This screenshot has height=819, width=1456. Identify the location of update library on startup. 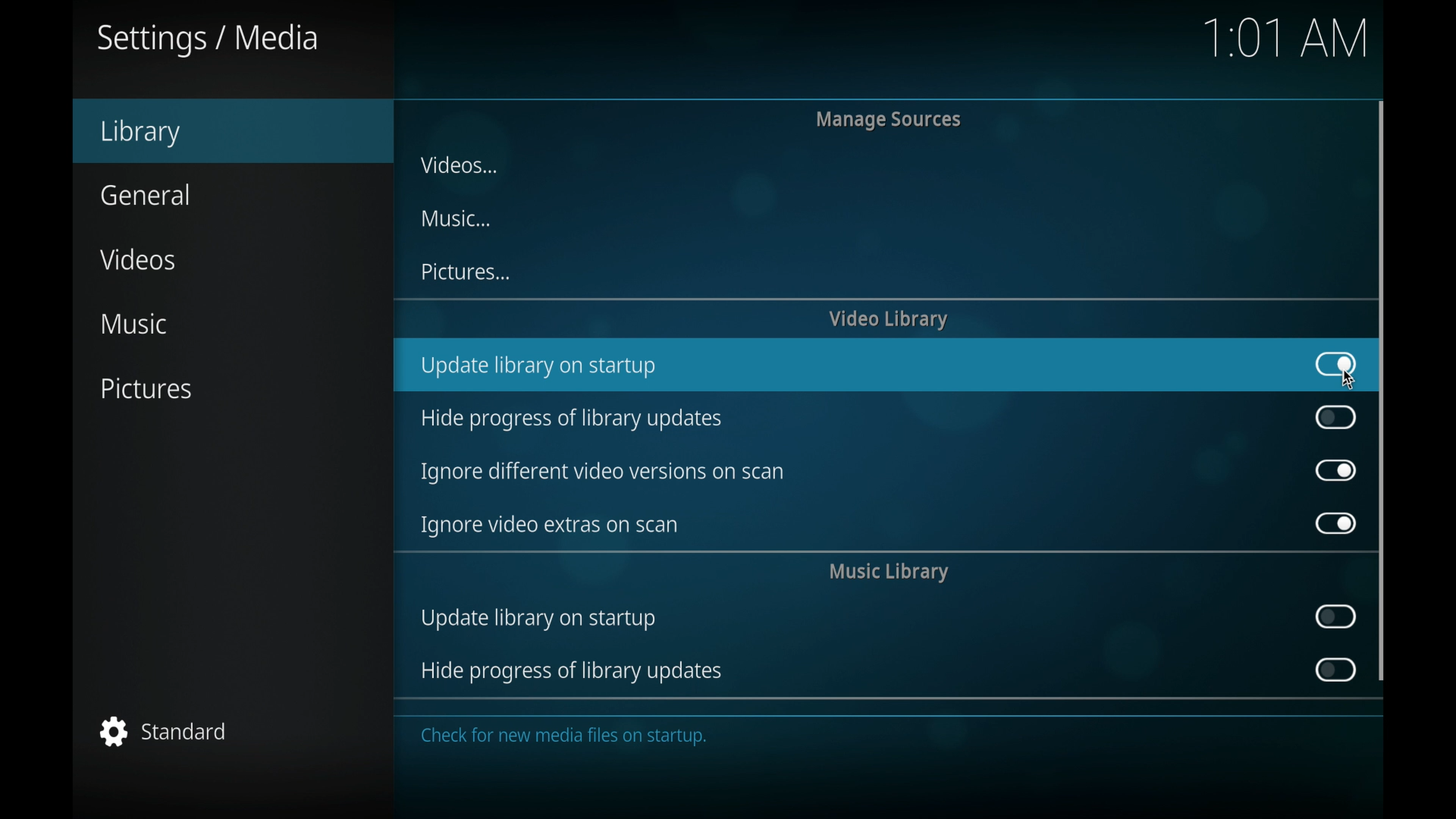
(538, 621).